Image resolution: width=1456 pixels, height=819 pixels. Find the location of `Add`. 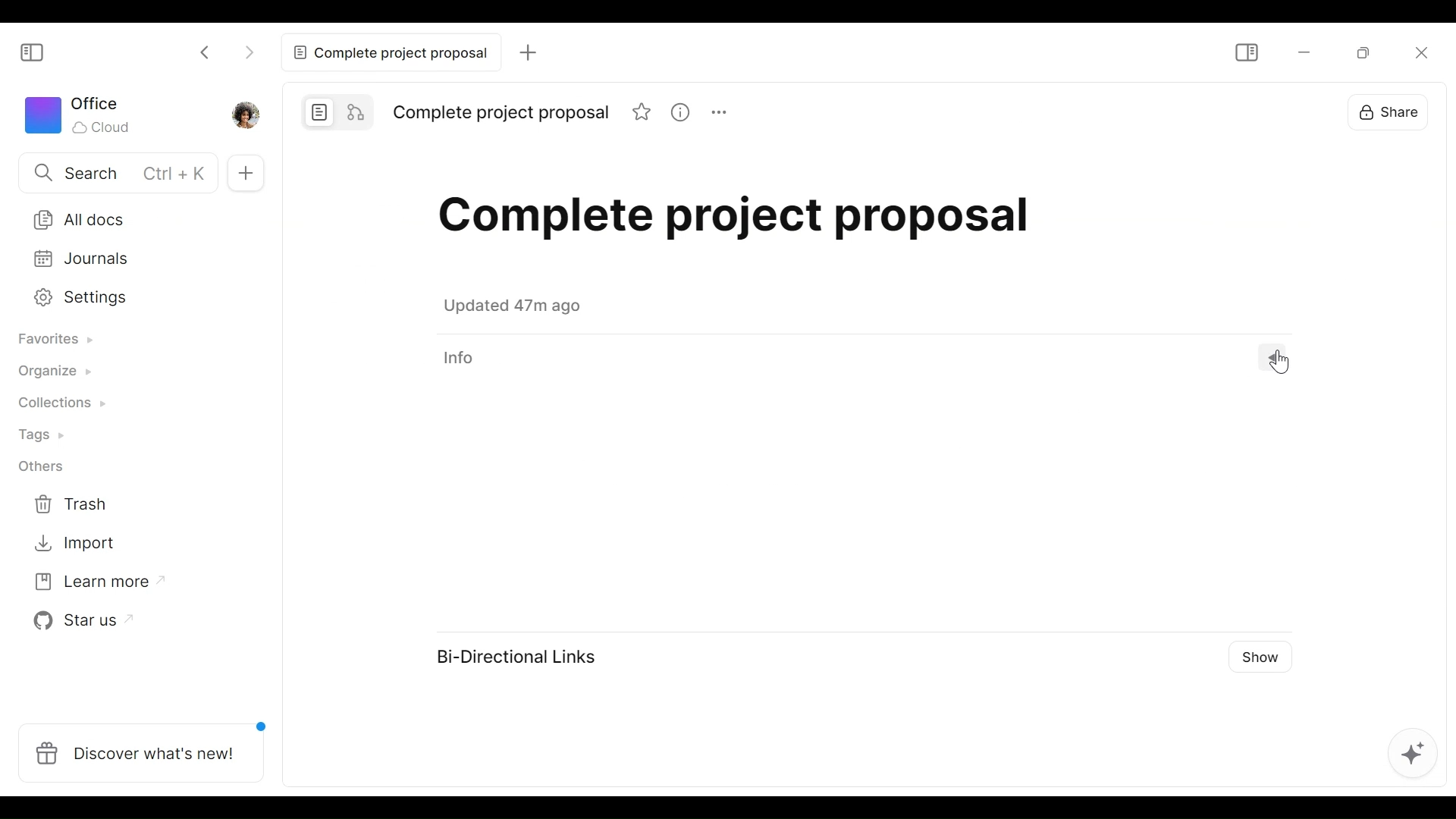

Add is located at coordinates (525, 52).